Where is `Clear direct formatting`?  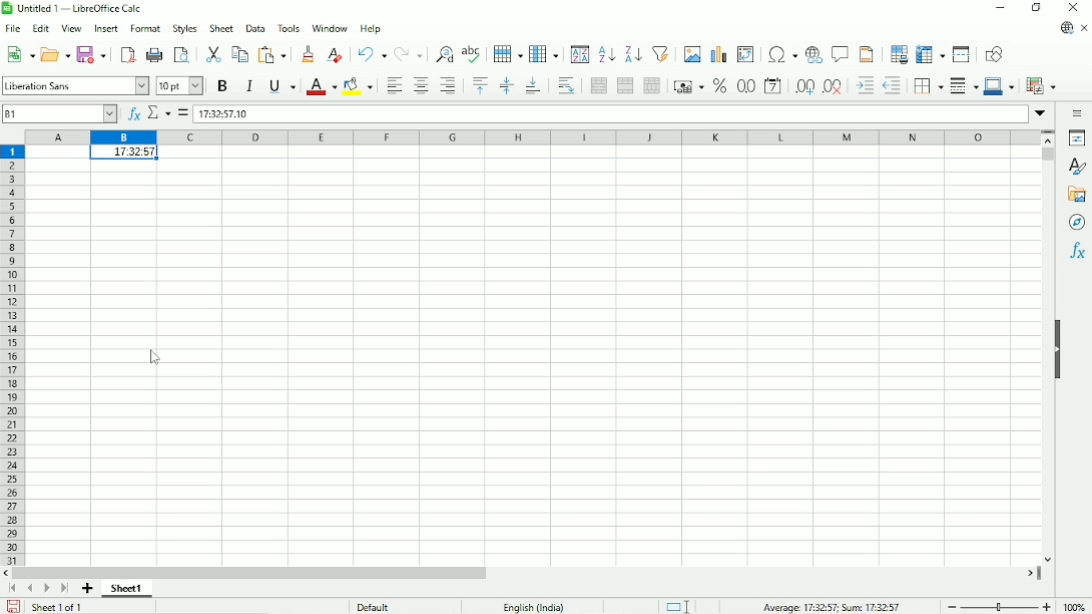
Clear direct formatting is located at coordinates (336, 54).